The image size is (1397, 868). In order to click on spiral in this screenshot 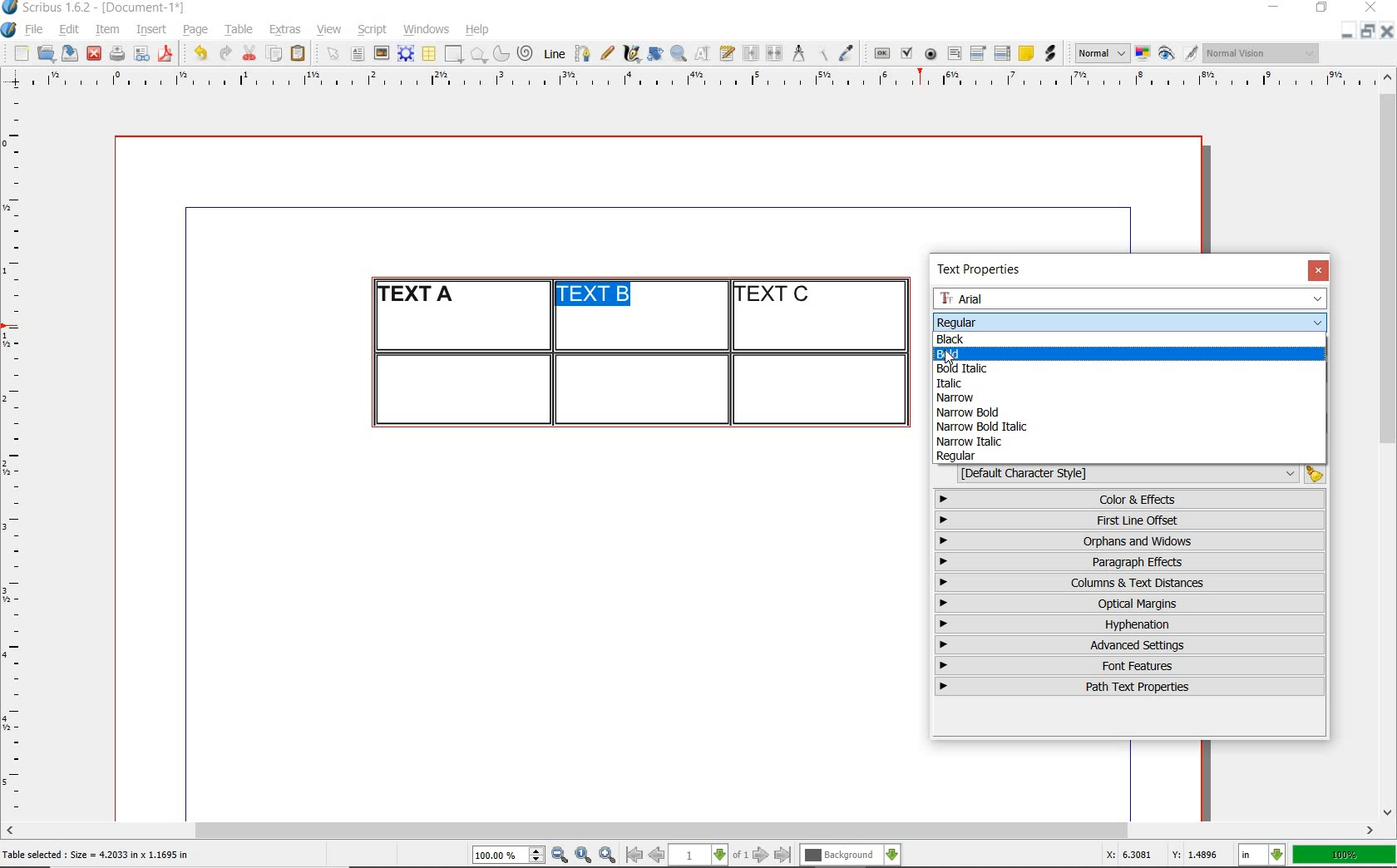, I will do `click(526, 53)`.